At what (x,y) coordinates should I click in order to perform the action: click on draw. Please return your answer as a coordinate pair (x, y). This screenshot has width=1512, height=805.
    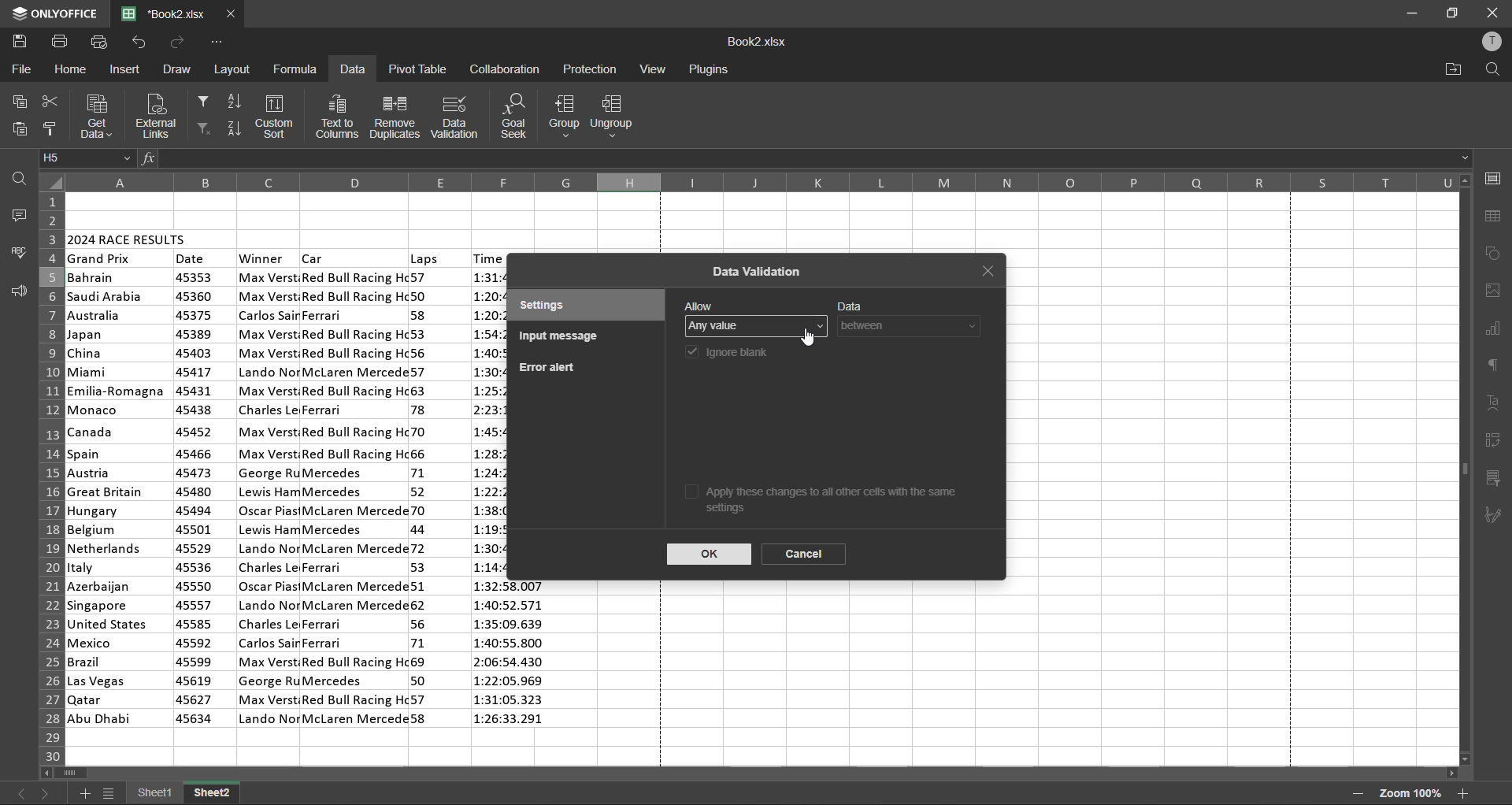
    Looking at the image, I should click on (178, 67).